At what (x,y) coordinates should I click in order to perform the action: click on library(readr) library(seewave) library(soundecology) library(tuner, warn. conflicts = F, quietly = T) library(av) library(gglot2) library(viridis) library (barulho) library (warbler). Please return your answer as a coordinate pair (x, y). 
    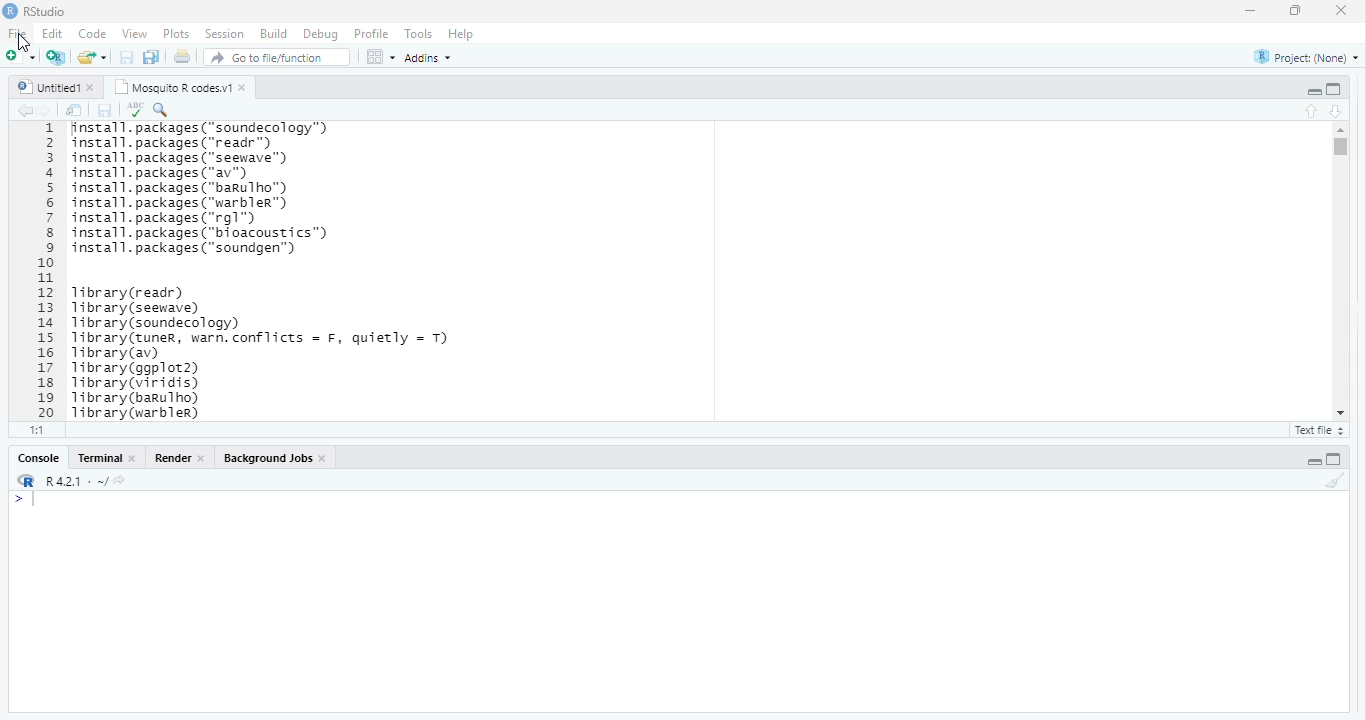
    Looking at the image, I should click on (260, 352).